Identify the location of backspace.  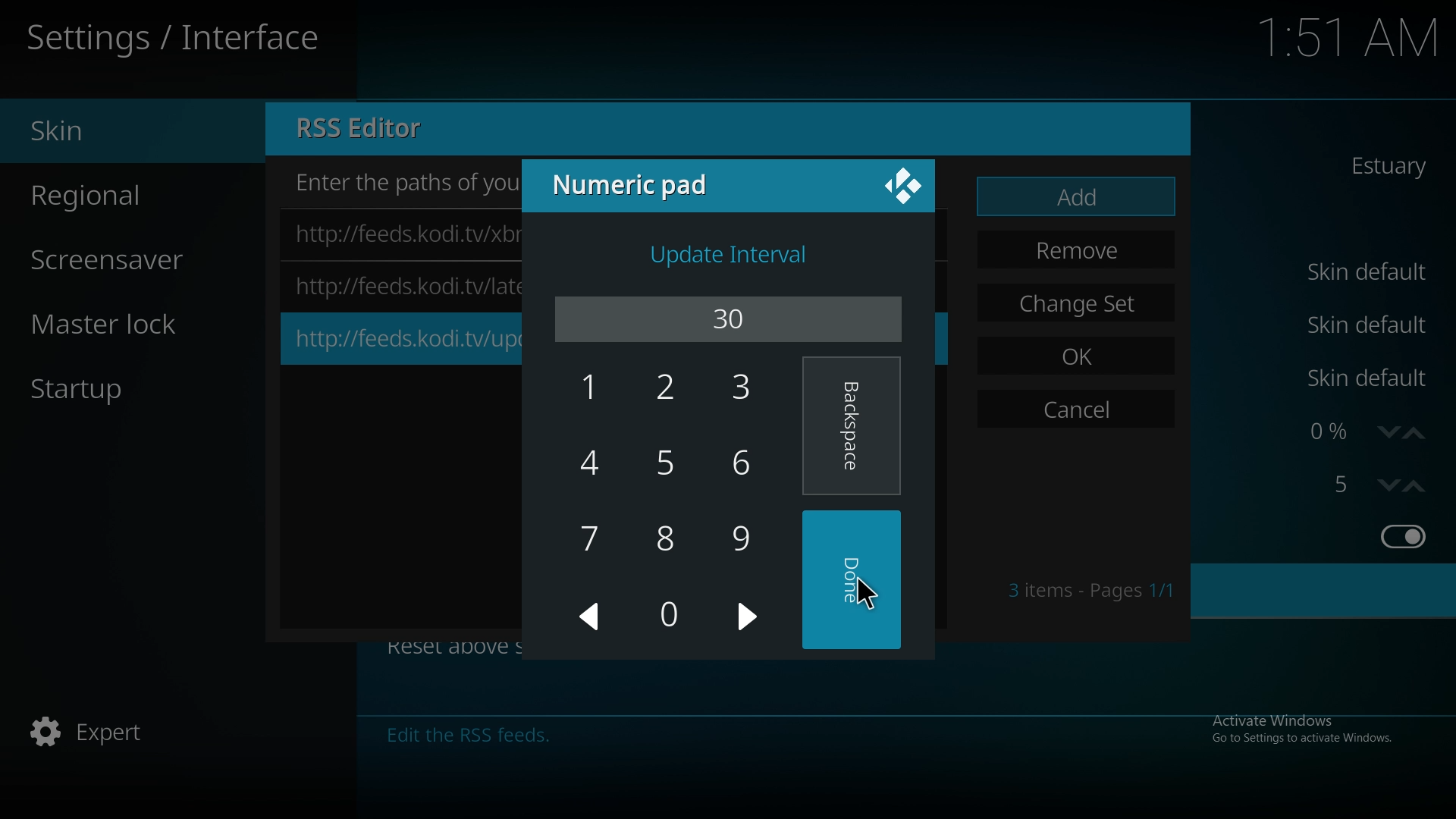
(851, 425).